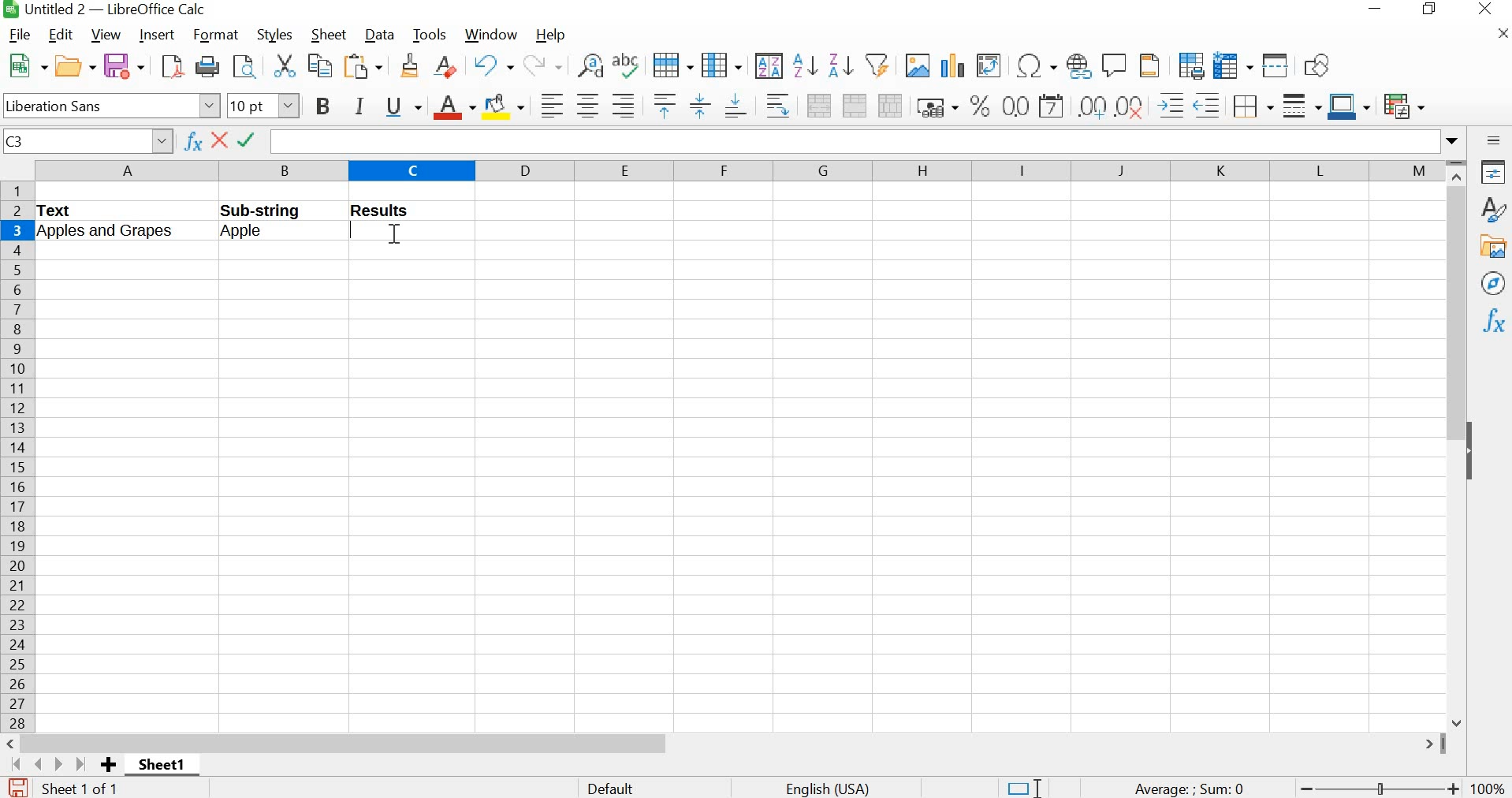 Image resolution: width=1512 pixels, height=798 pixels. What do you see at coordinates (1276, 65) in the screenshot?
I see `split window` at bounding box center [1276, 65].